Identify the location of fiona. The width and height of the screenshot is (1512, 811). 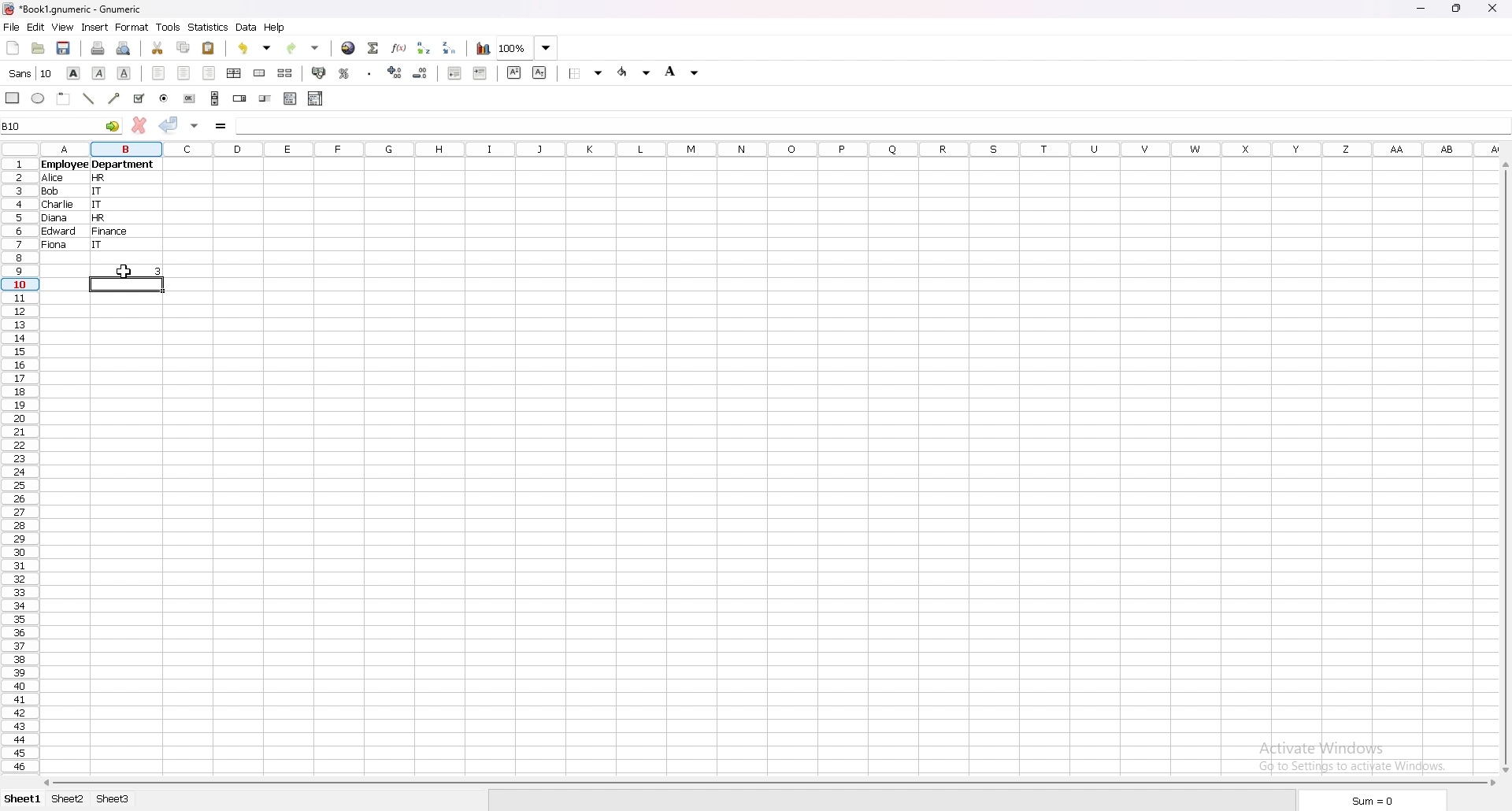
(51, 245).